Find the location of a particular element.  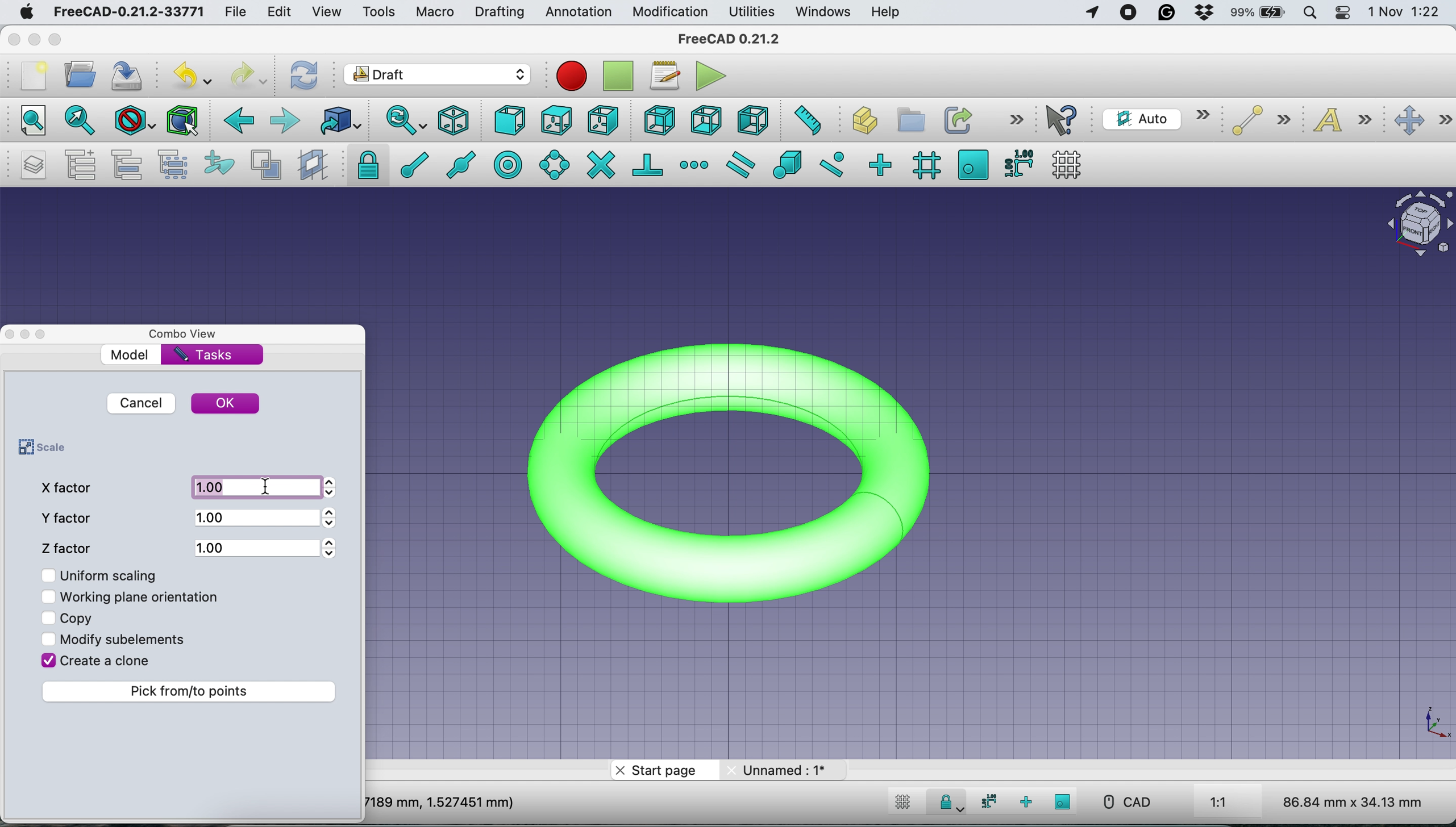

dropbox is located at coordinates (1203, 12).